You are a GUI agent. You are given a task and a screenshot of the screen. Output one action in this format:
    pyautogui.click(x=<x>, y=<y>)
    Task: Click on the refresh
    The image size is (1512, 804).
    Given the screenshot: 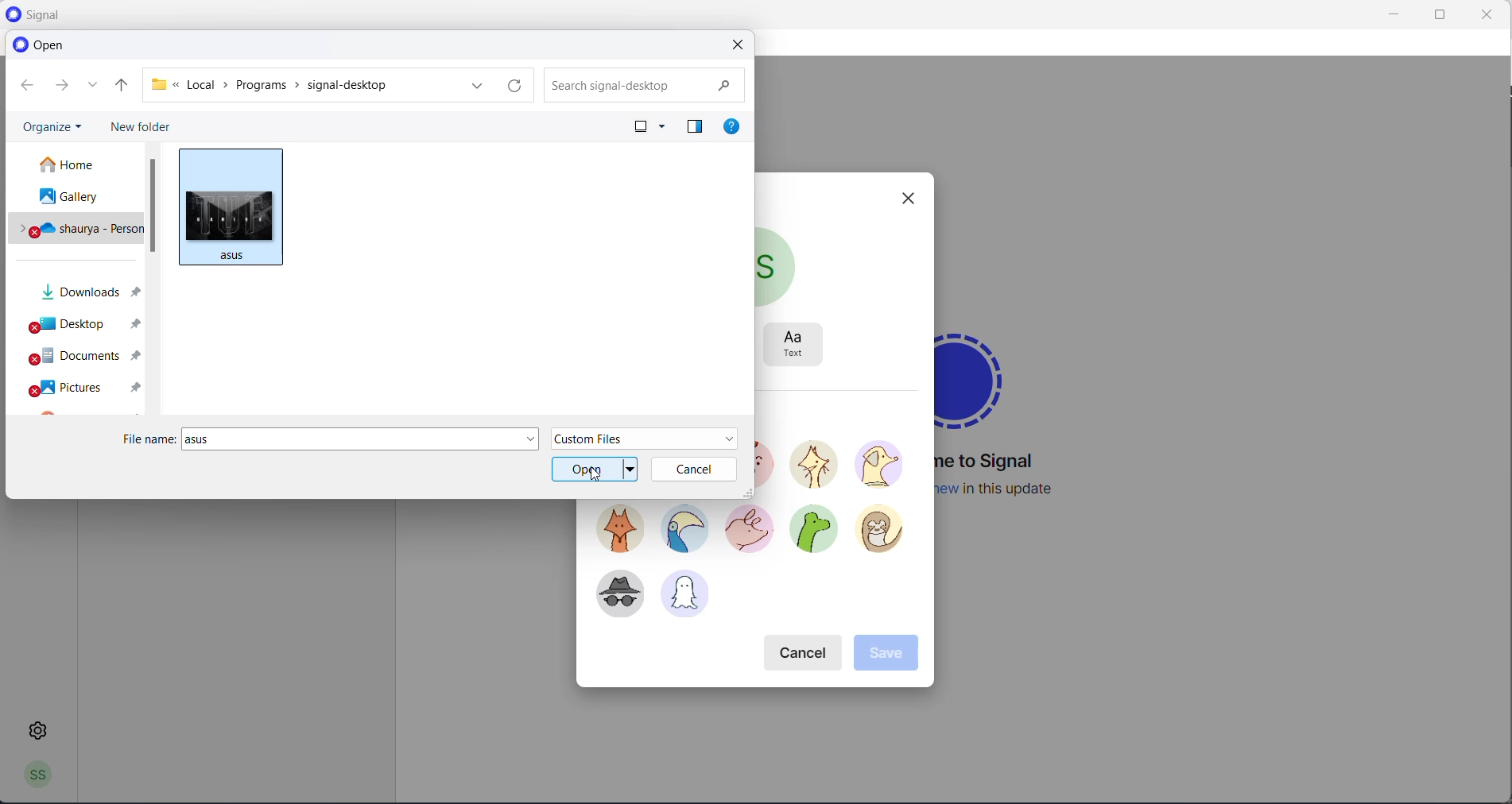 What is the action you would take?
    pyautogui.click(x=516, y=86)
    